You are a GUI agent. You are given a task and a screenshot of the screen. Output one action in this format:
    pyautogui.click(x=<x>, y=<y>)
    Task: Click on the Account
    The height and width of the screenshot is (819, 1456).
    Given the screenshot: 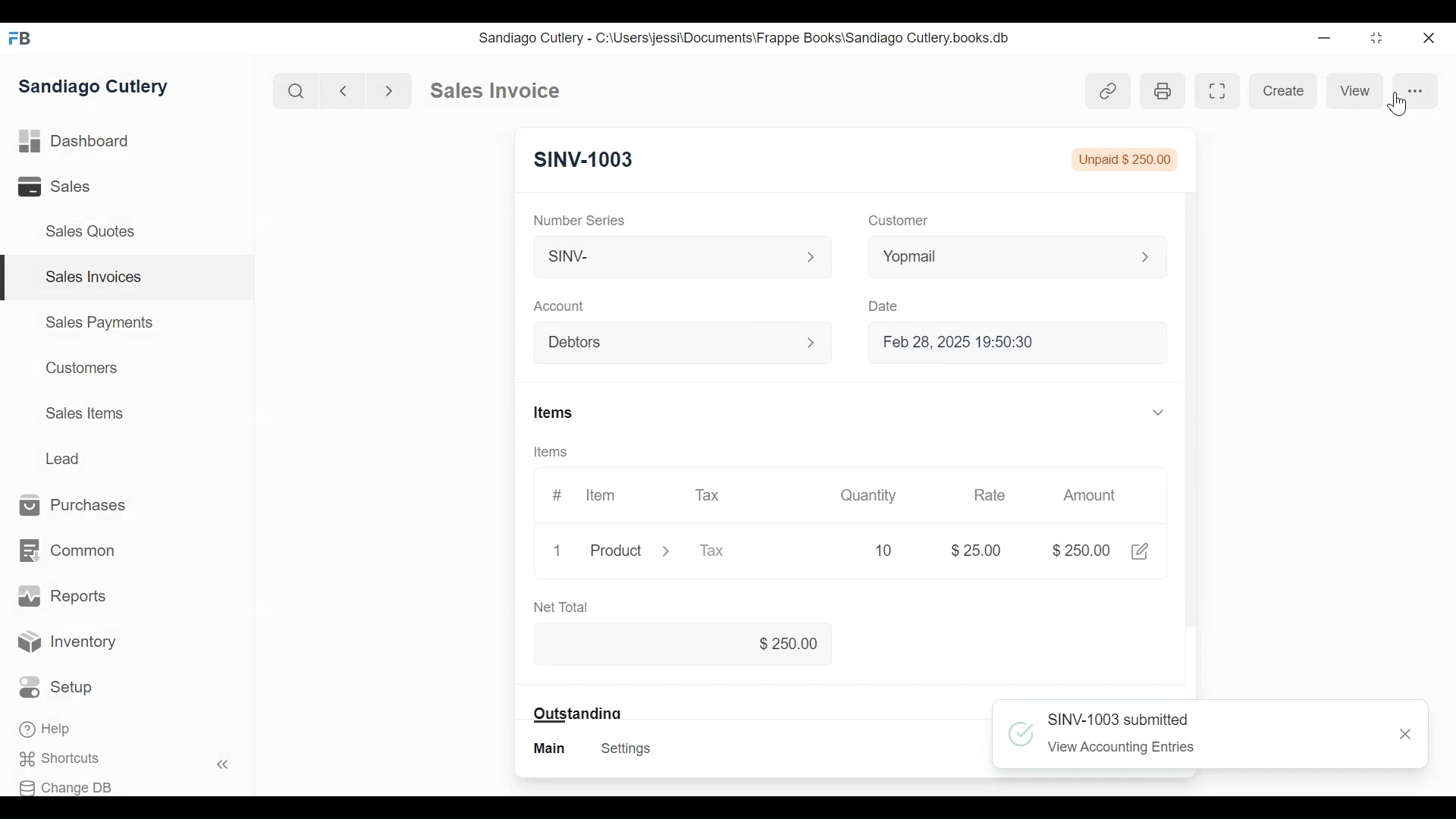 What is the action you would take?
    pyautogui.click(x=560, y=306)
    